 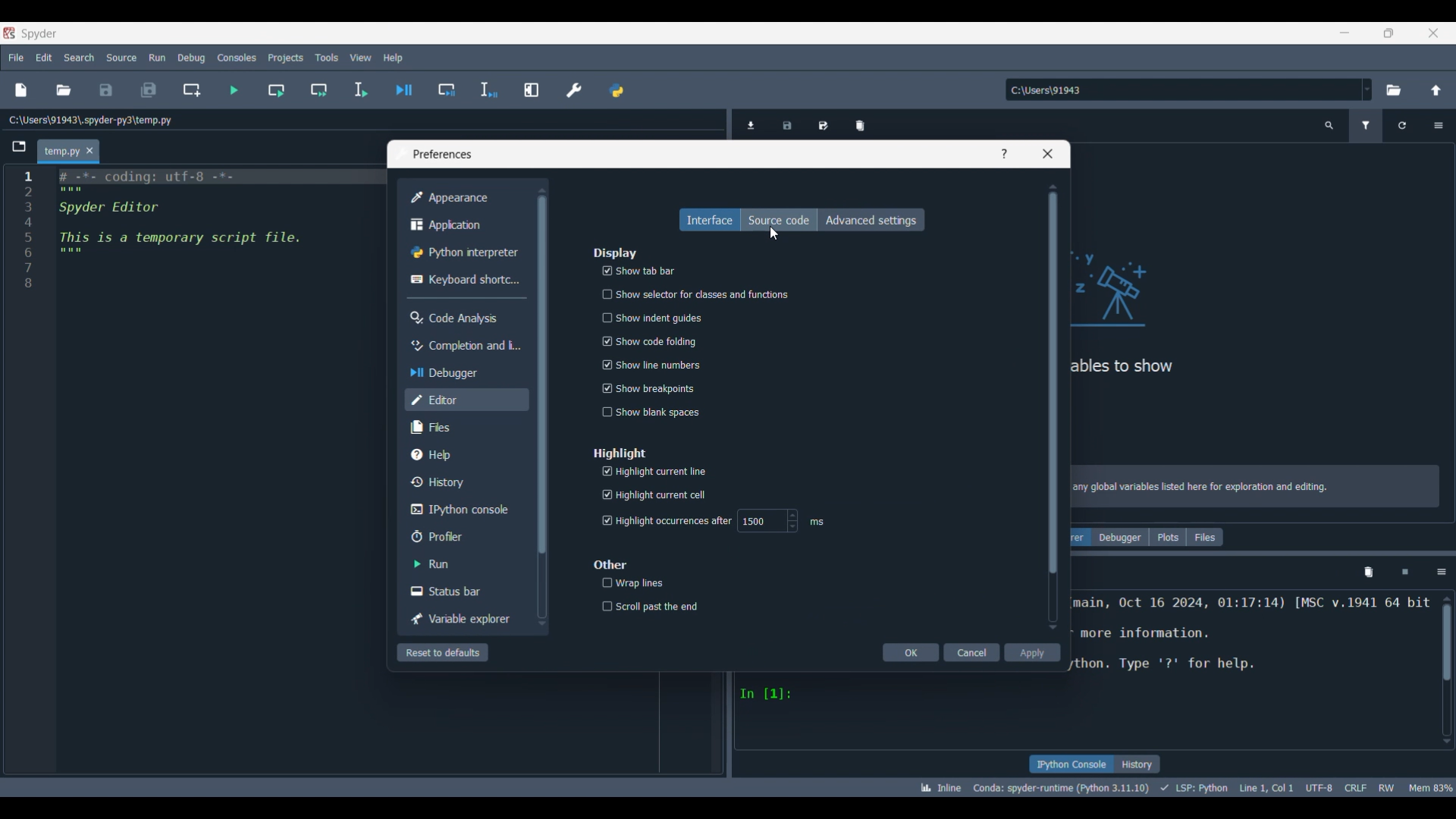 What do you see at coordinates (1439, 126) in the screenshot?
I see `Options` at bounding box center [1439, 126].